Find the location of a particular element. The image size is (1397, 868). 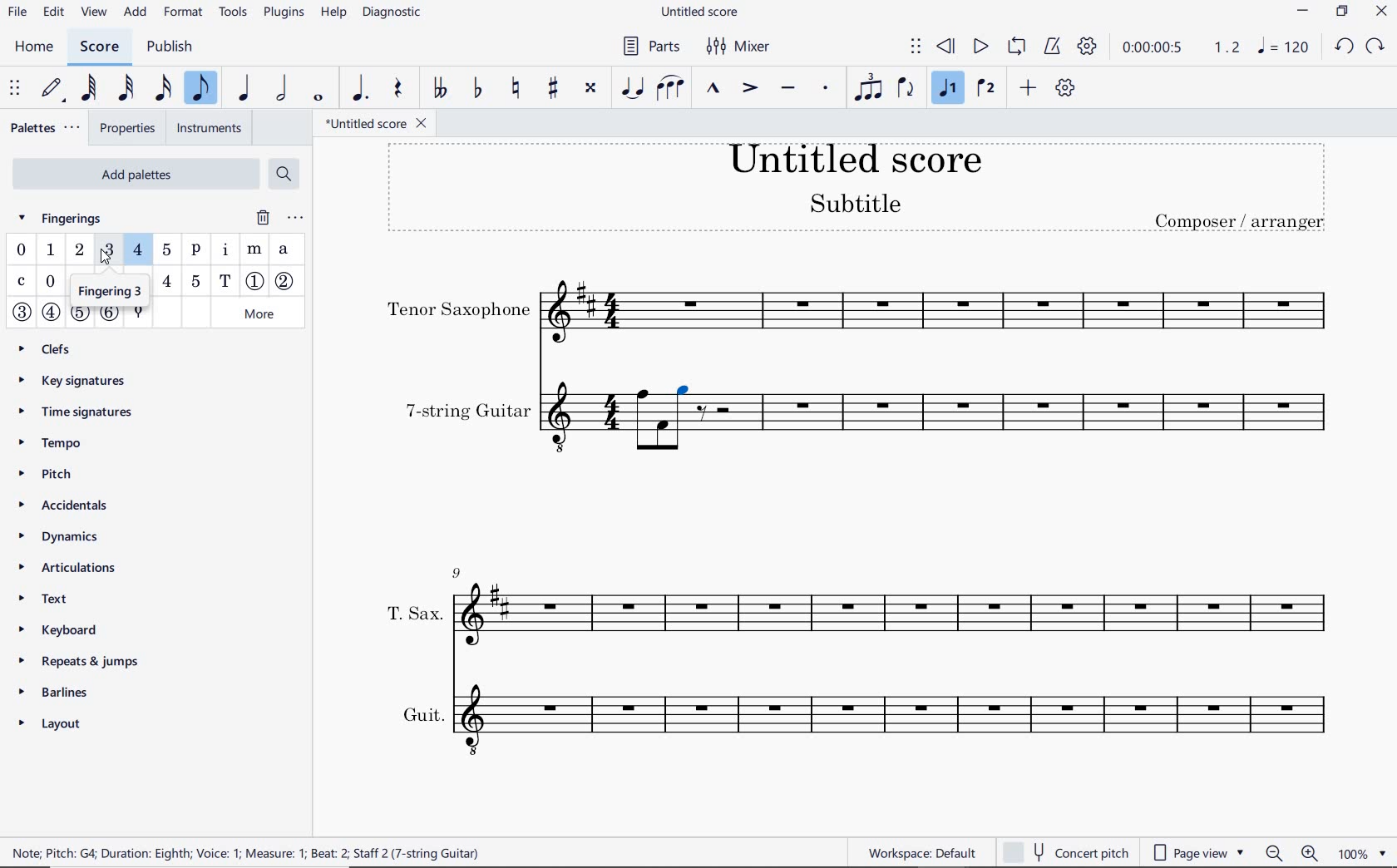

RESTORE DOWN is located at coordinates (1344, 12).